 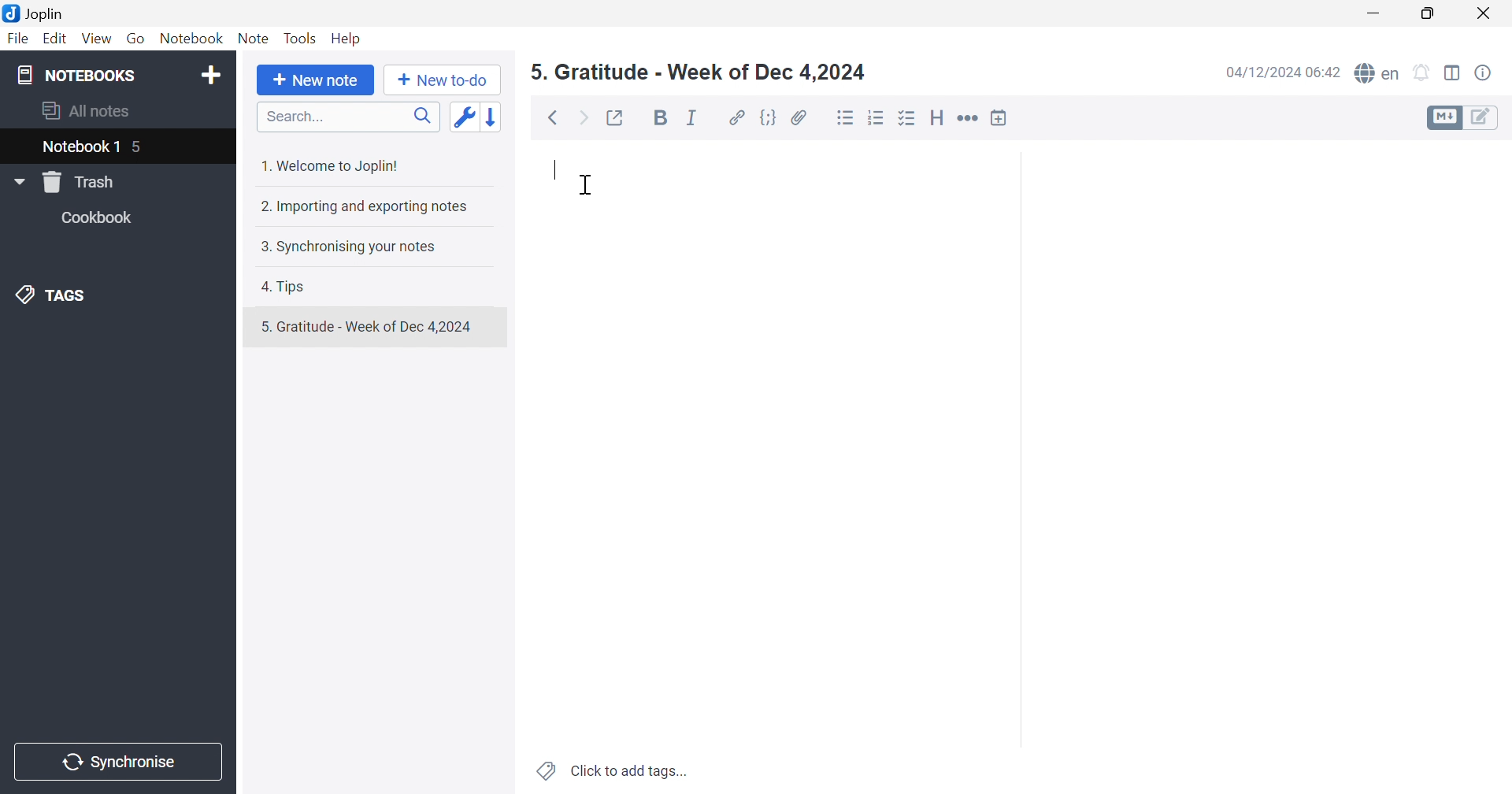 What do you see at coordinates (845, 118) in the screenshot?
I see `Bulleted list` at bounding box center [845, 118].